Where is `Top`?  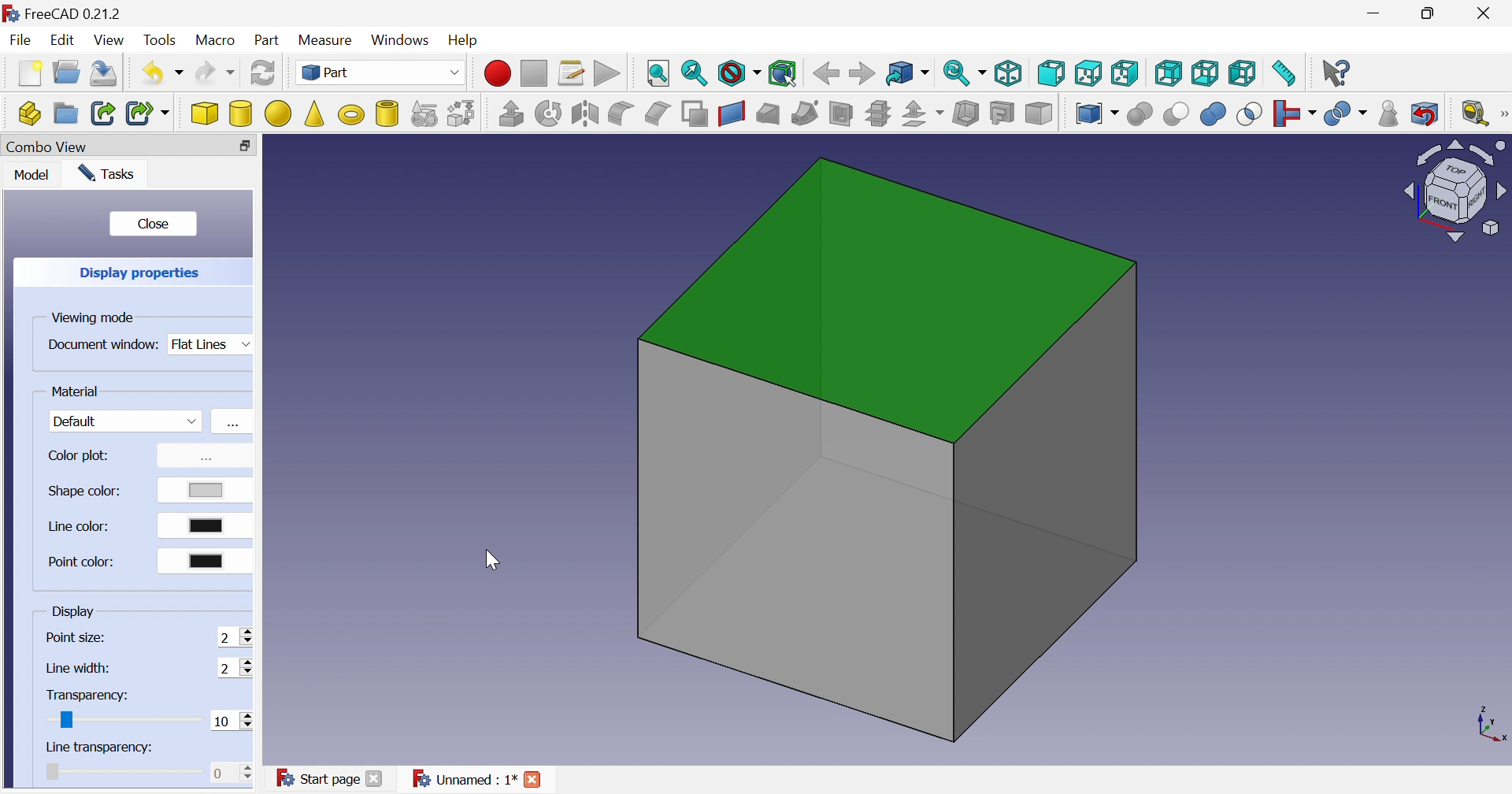 Top is located at coordinates (1088, 72).